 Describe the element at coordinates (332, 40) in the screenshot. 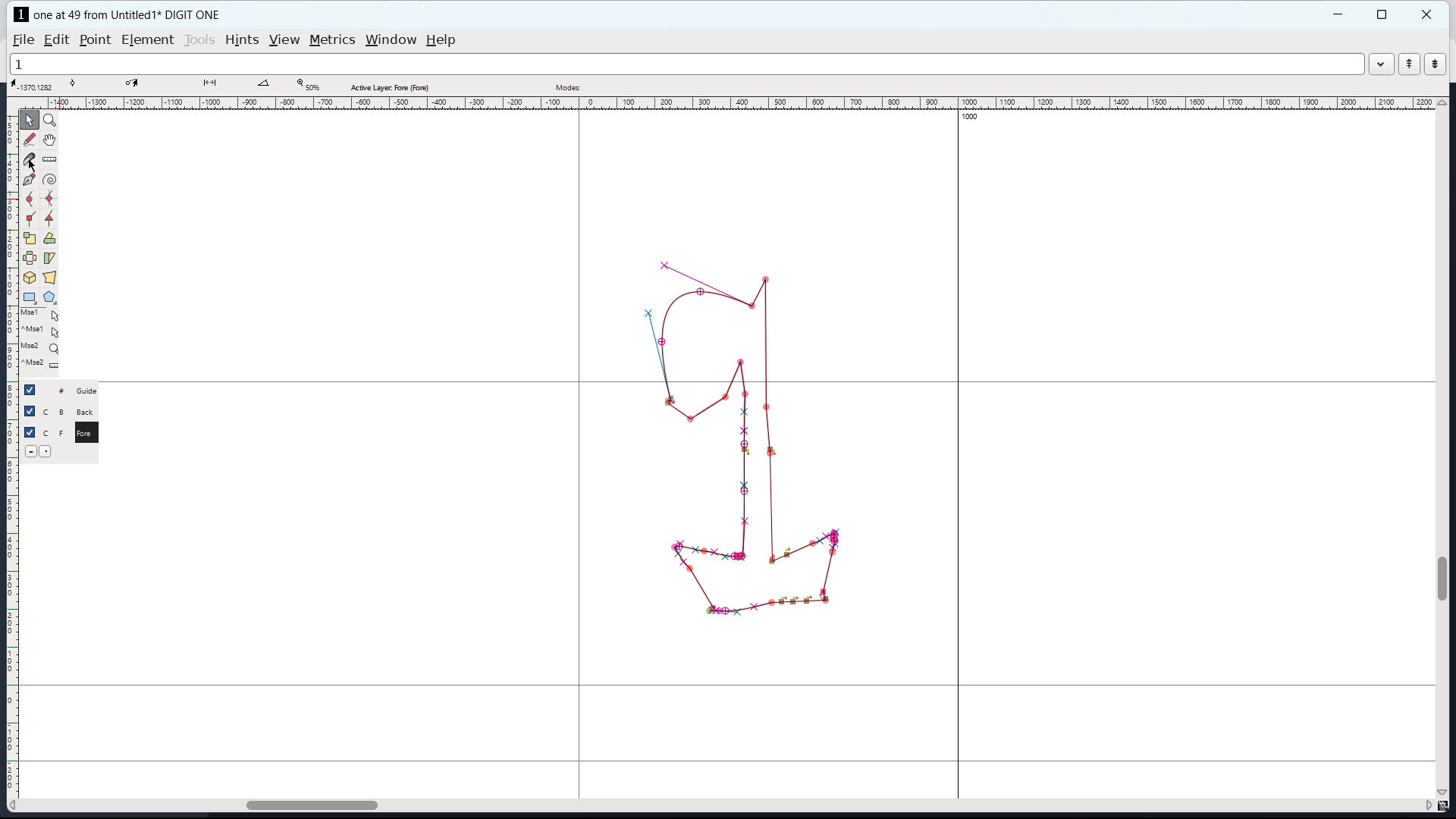

I see `metrics` at that location.